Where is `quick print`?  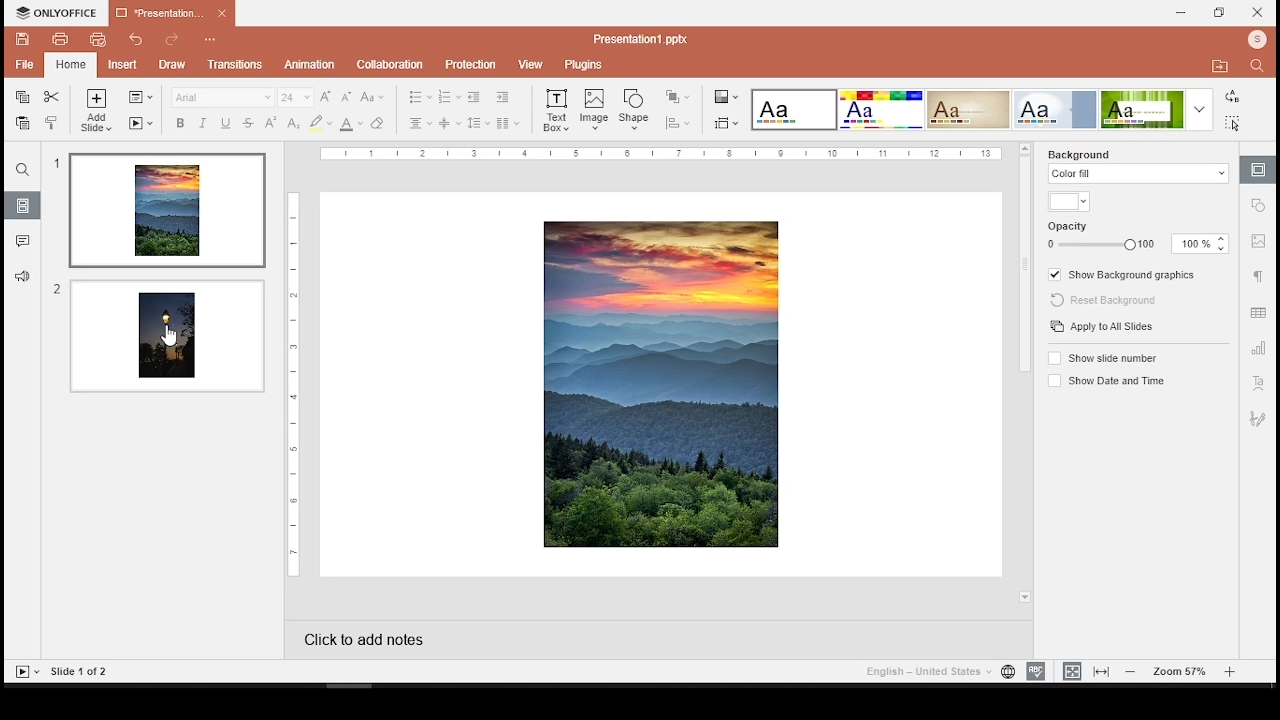 quick print is located at coordinates (69, 64).